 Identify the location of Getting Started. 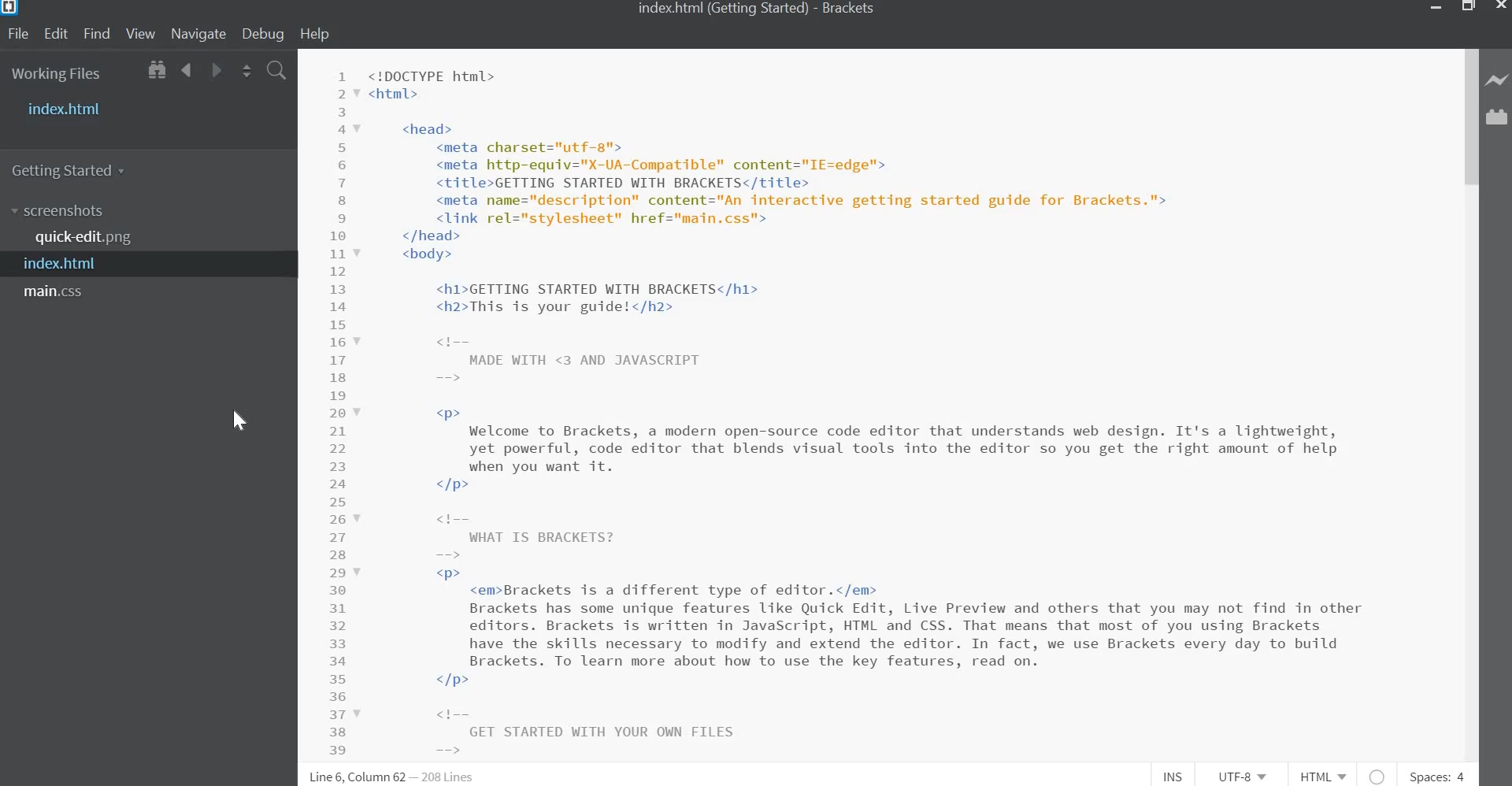
(74, 169).